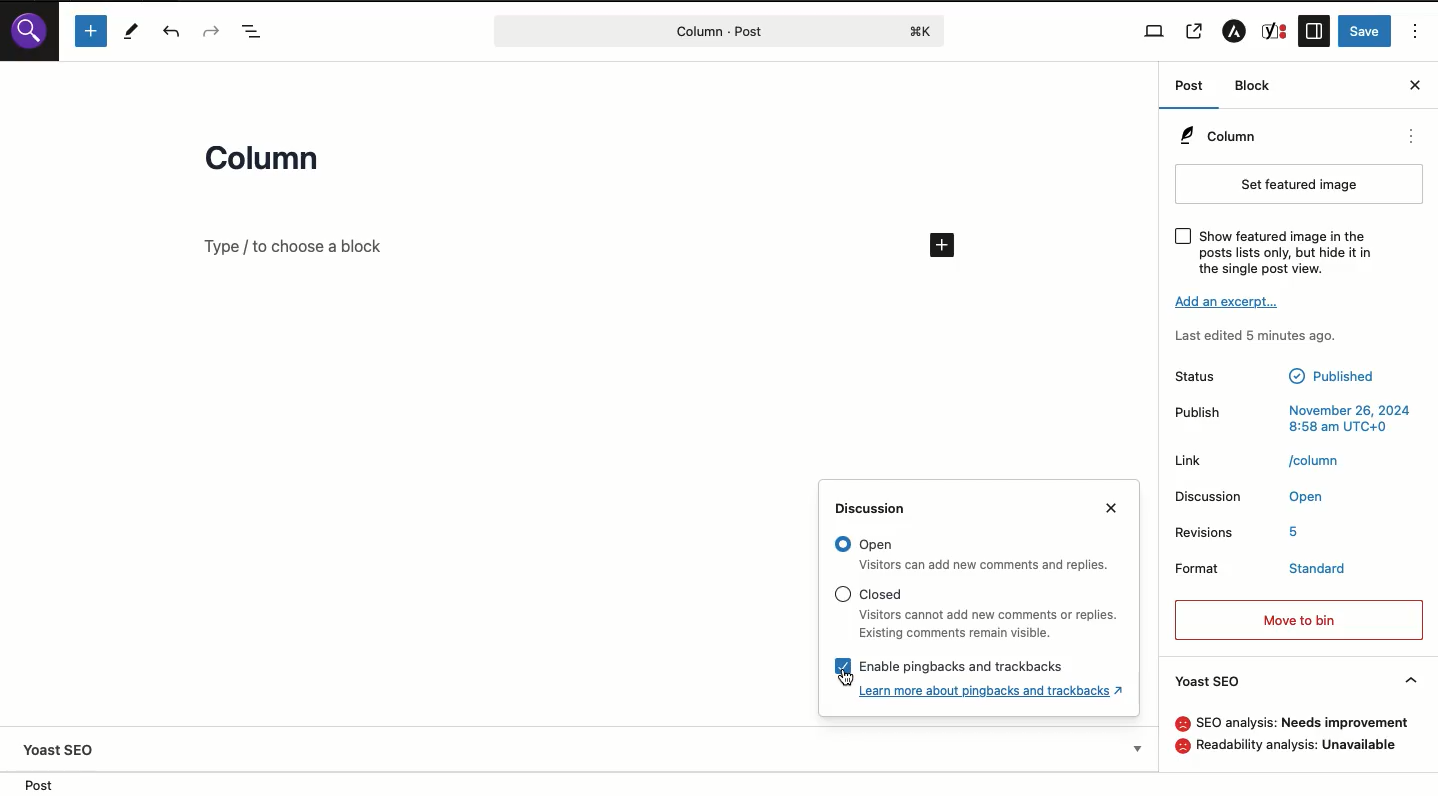 Image resolution: width=1438 pixels, height=796 pixels. Describe the element at coordinates (993, 690) in the screenshot. I see `Enable pingbacks and trackbacks` at that location.